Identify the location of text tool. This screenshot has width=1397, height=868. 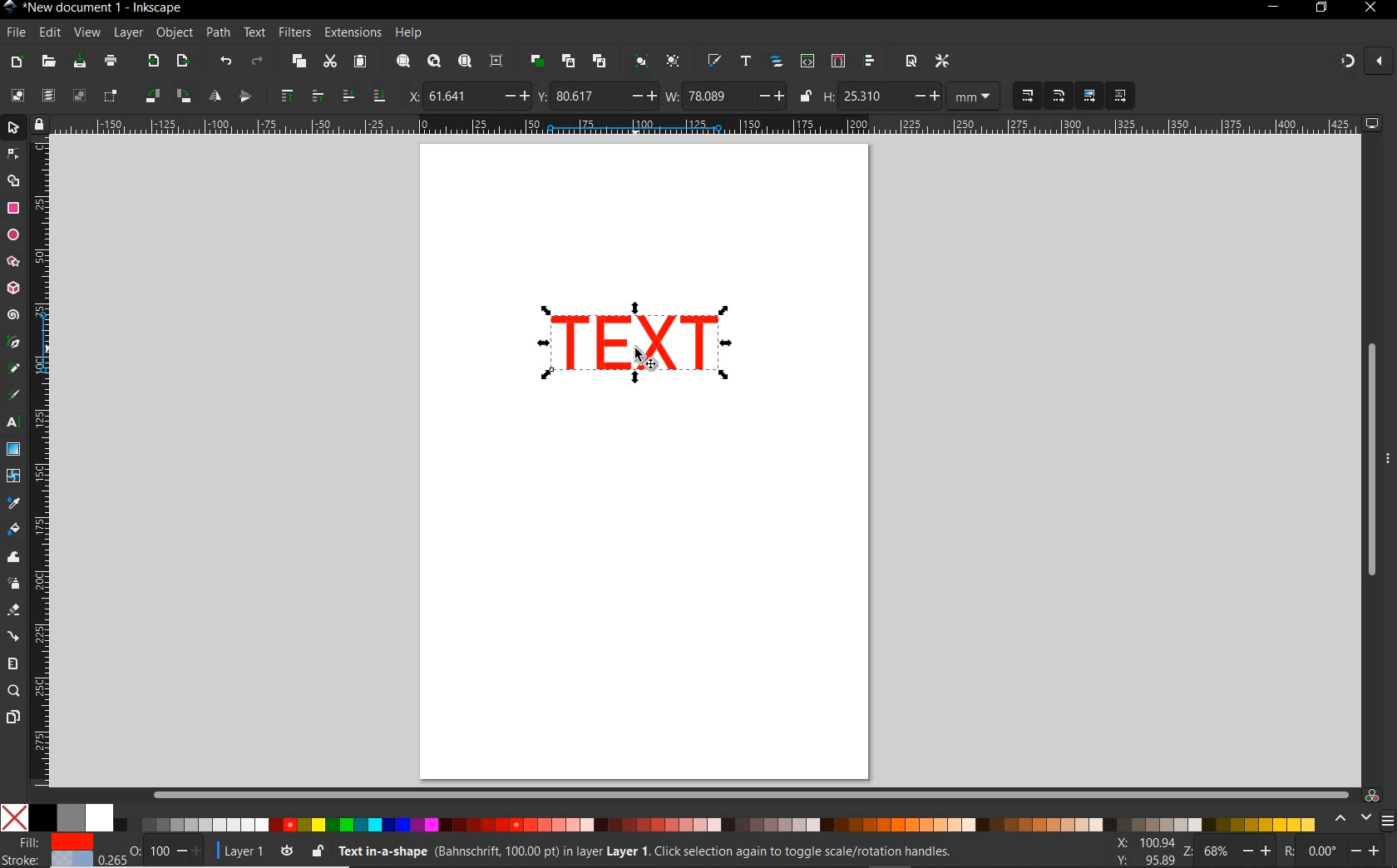
(15, 424).